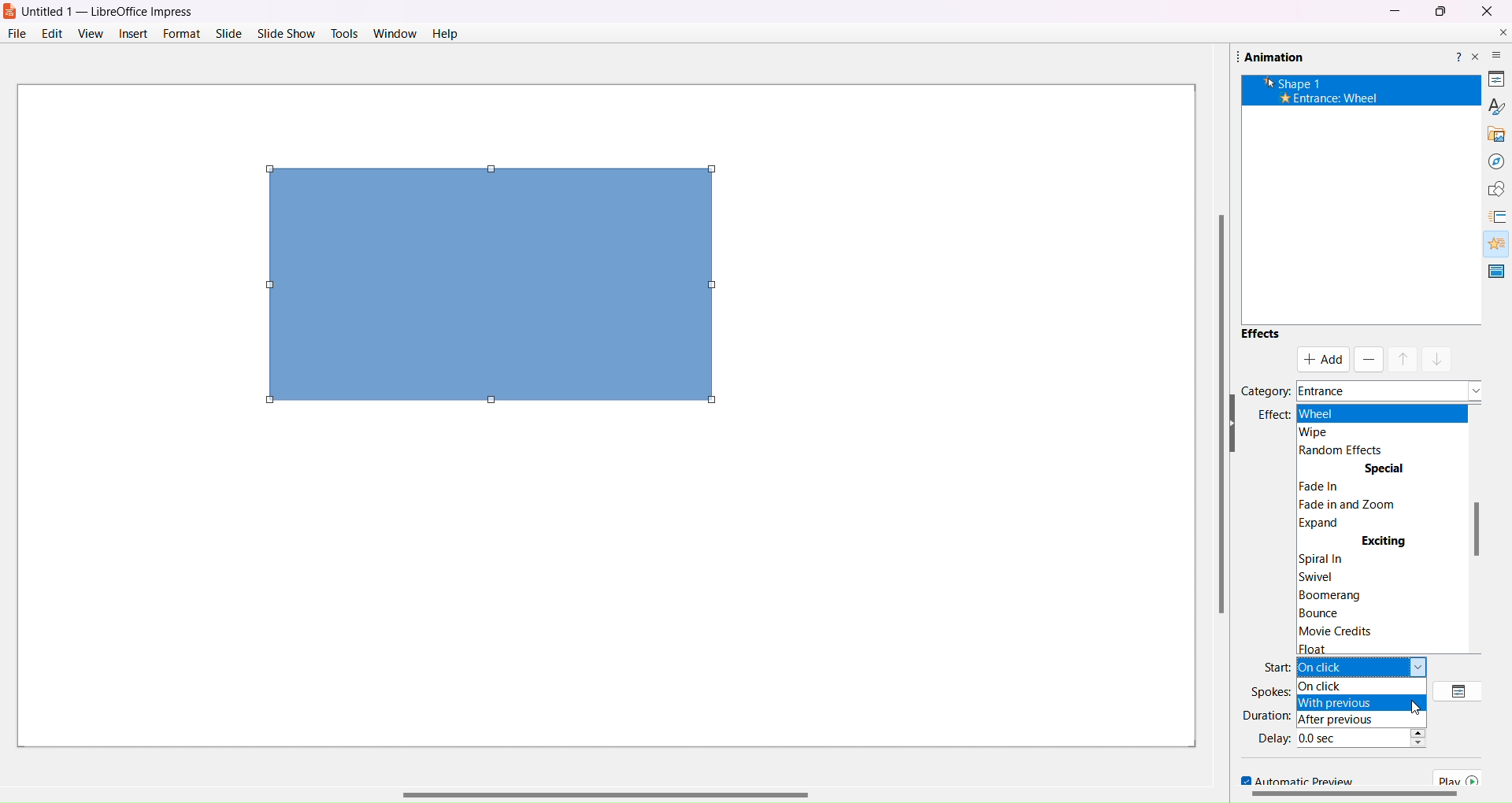 This screenshot has height=803, width=1512. I want to click on Slide Show, so click(287, 31).